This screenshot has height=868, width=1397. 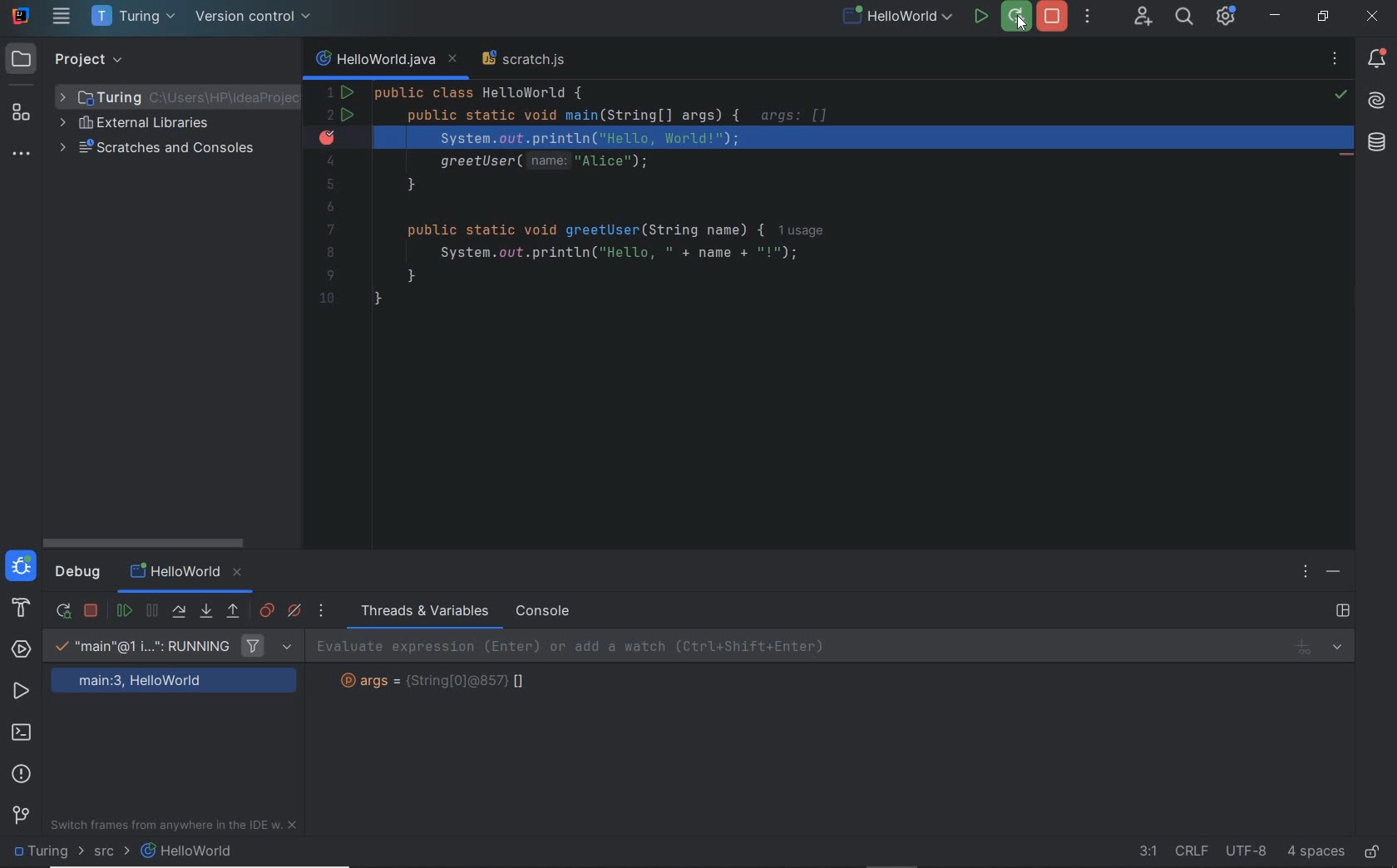 What do you see at coordinates (176, 95) in the screenshot?
I see `project folder` at bounding box center [176, 95].